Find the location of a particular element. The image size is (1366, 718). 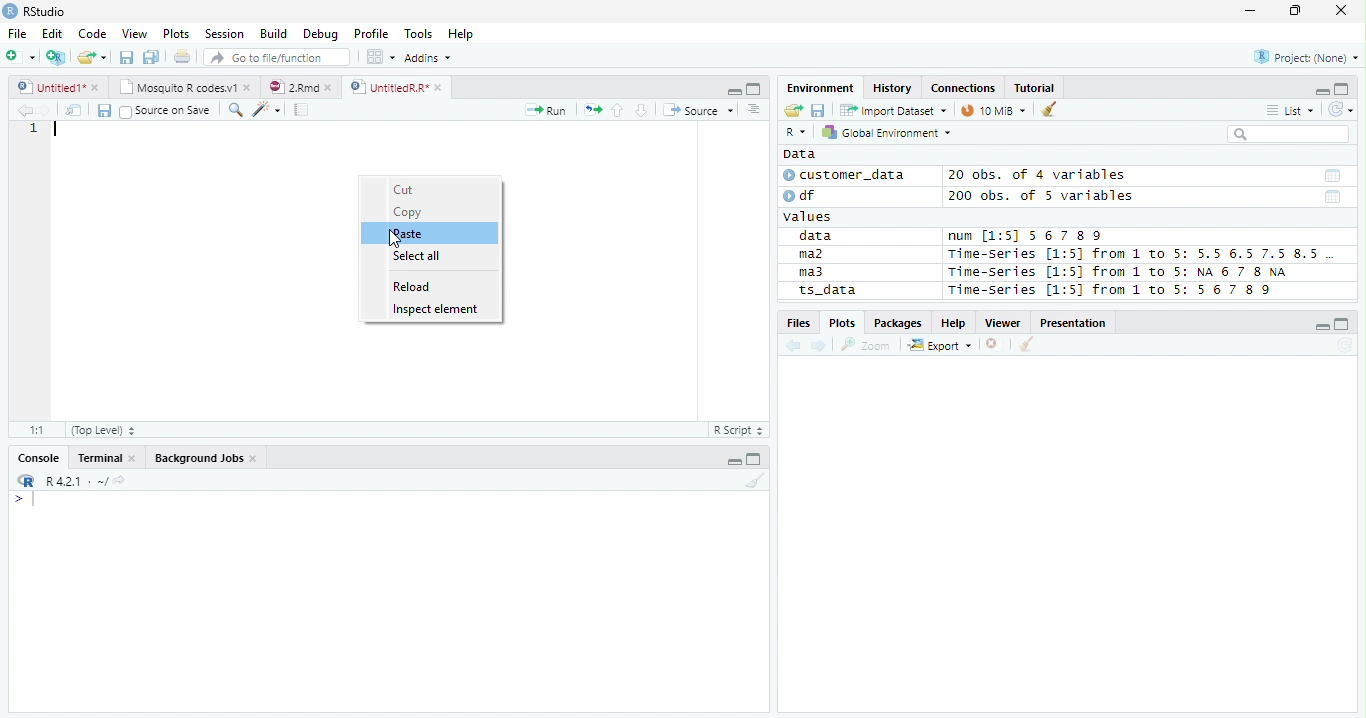

Run is located at coordinates (548, 111).